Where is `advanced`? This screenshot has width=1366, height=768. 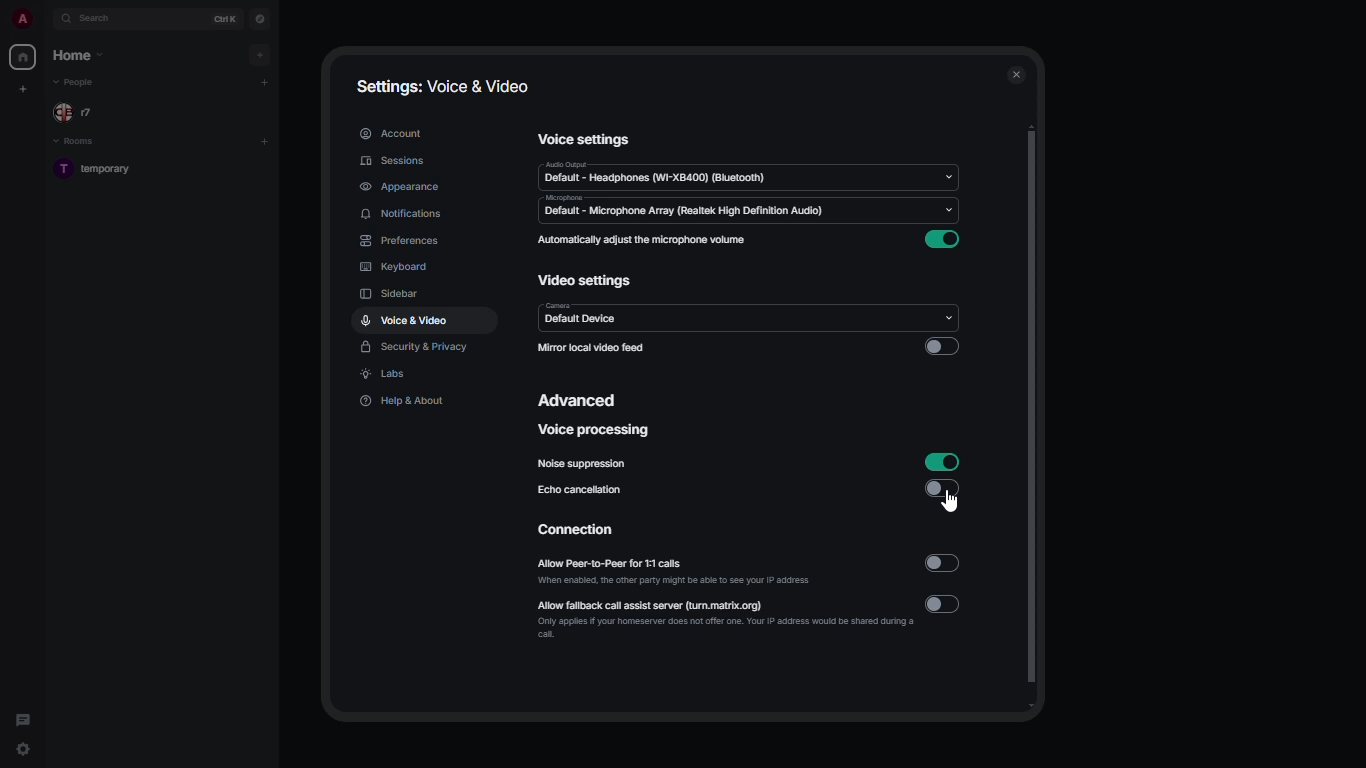
advanced is located at coordinates (581, 402).